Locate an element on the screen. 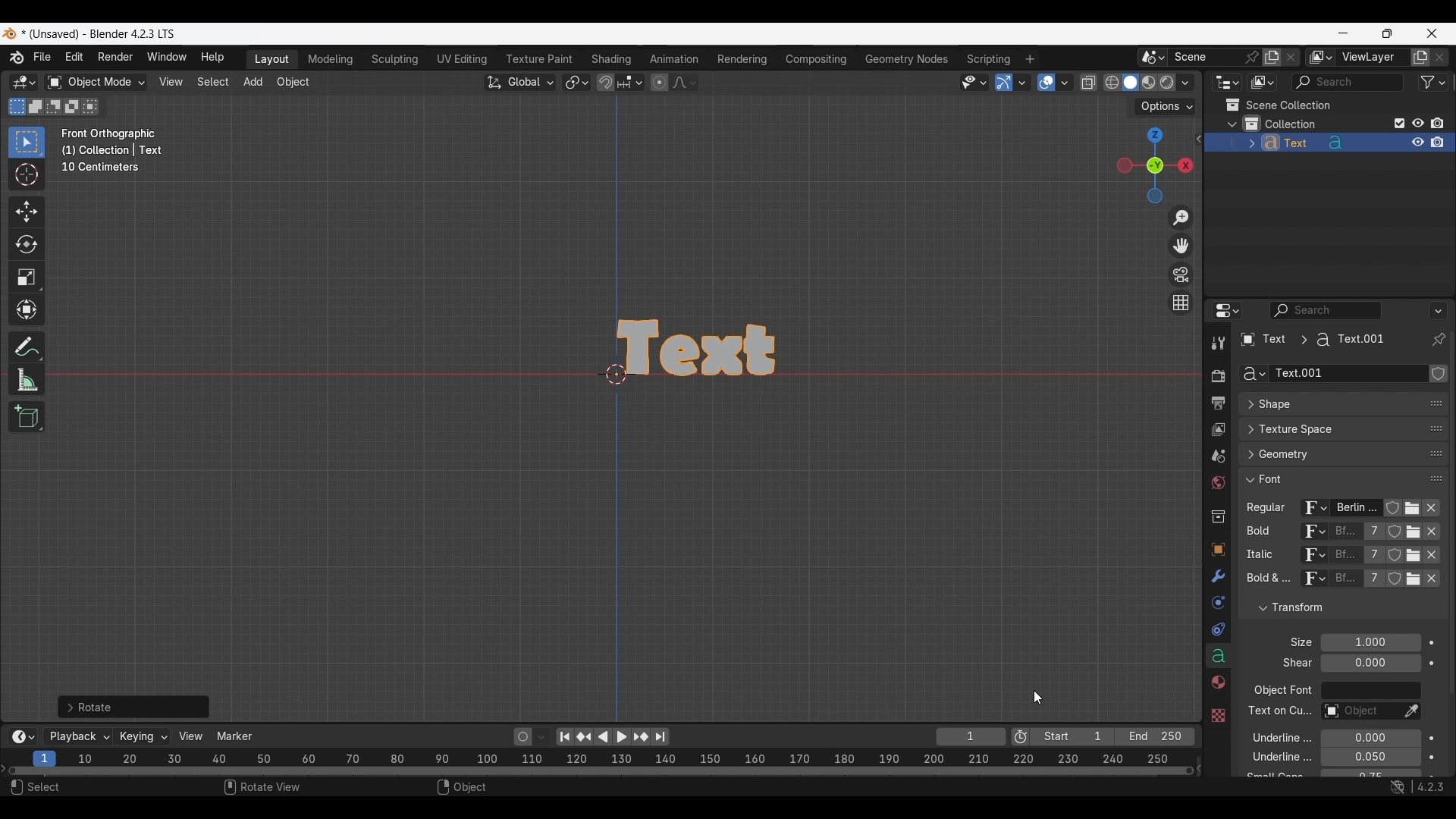 Image resolution: width=1456 pixels, height=819 pixels.  is located at coordinates (1278, 713).